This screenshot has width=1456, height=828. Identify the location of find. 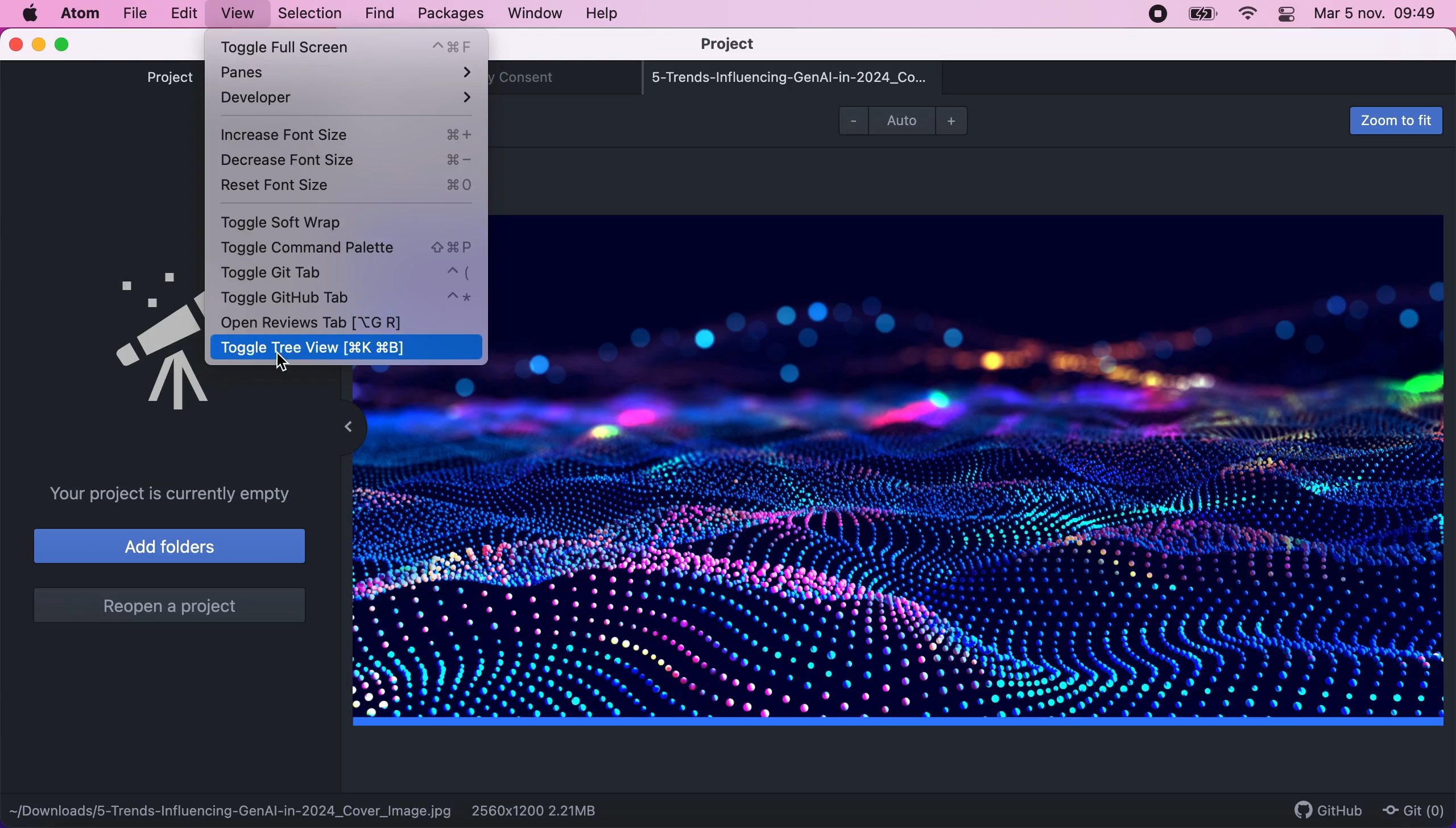
(377, 13).